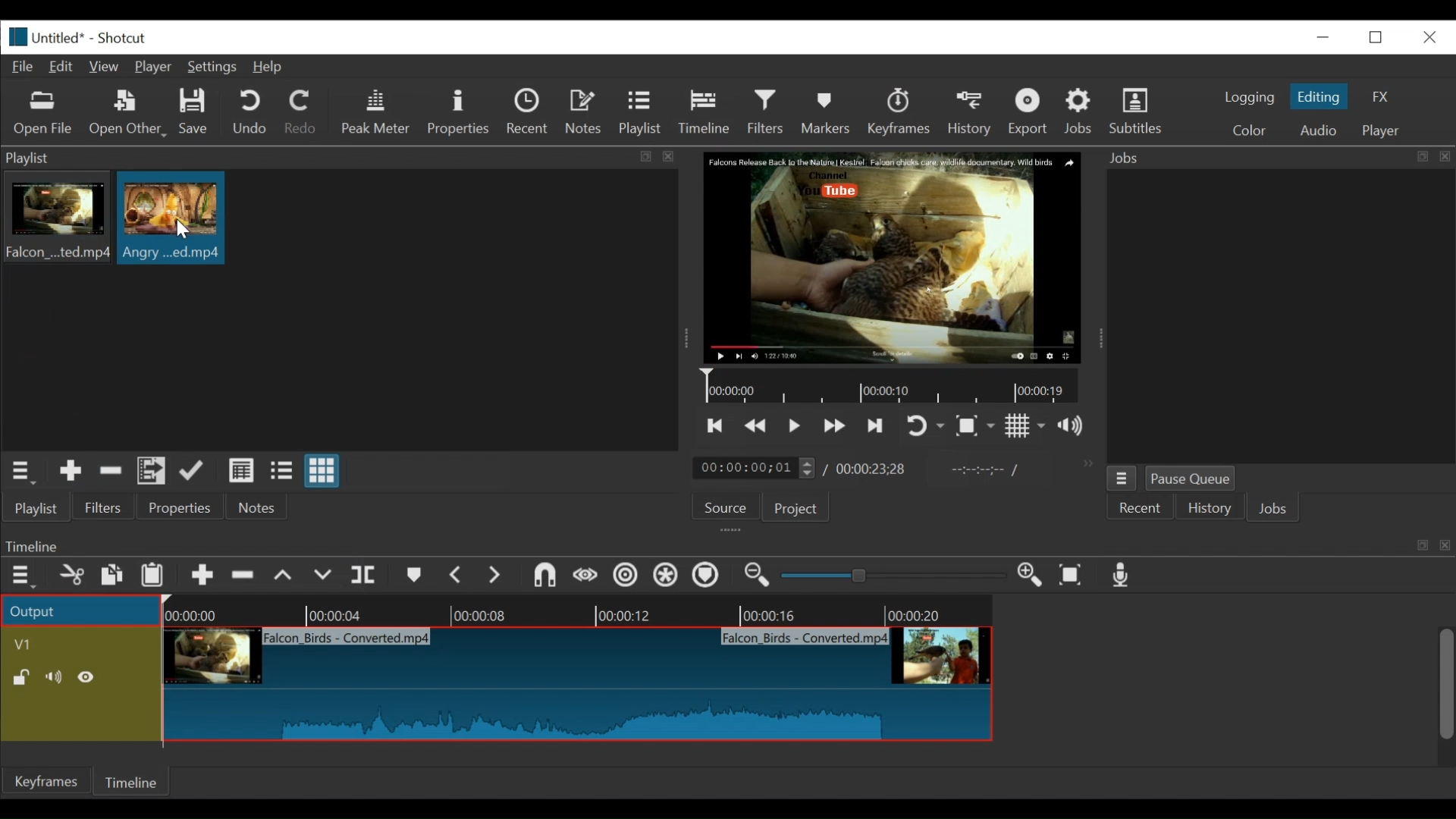 The width and height of the screenshot is (1456, 819). Describe the element at coordinates (257, 507) in the screenshot. I see `Notes` at that location.